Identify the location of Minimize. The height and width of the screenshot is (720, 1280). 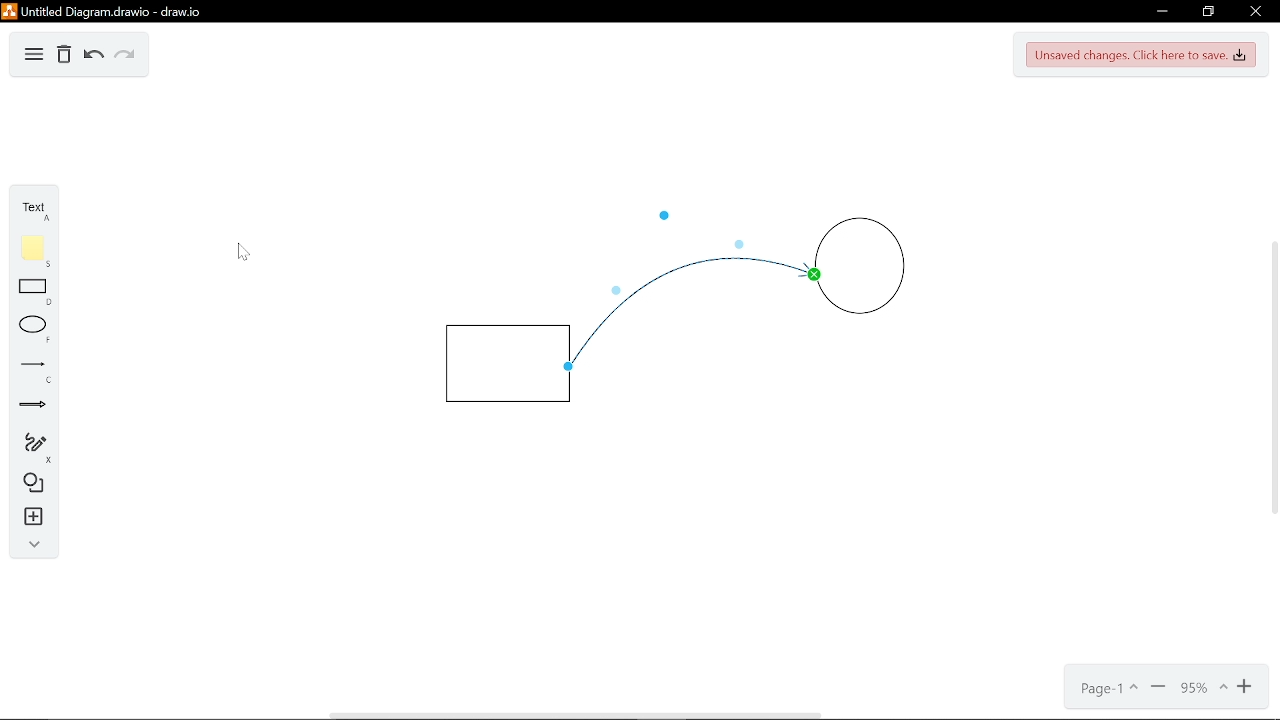
(1159, 689).